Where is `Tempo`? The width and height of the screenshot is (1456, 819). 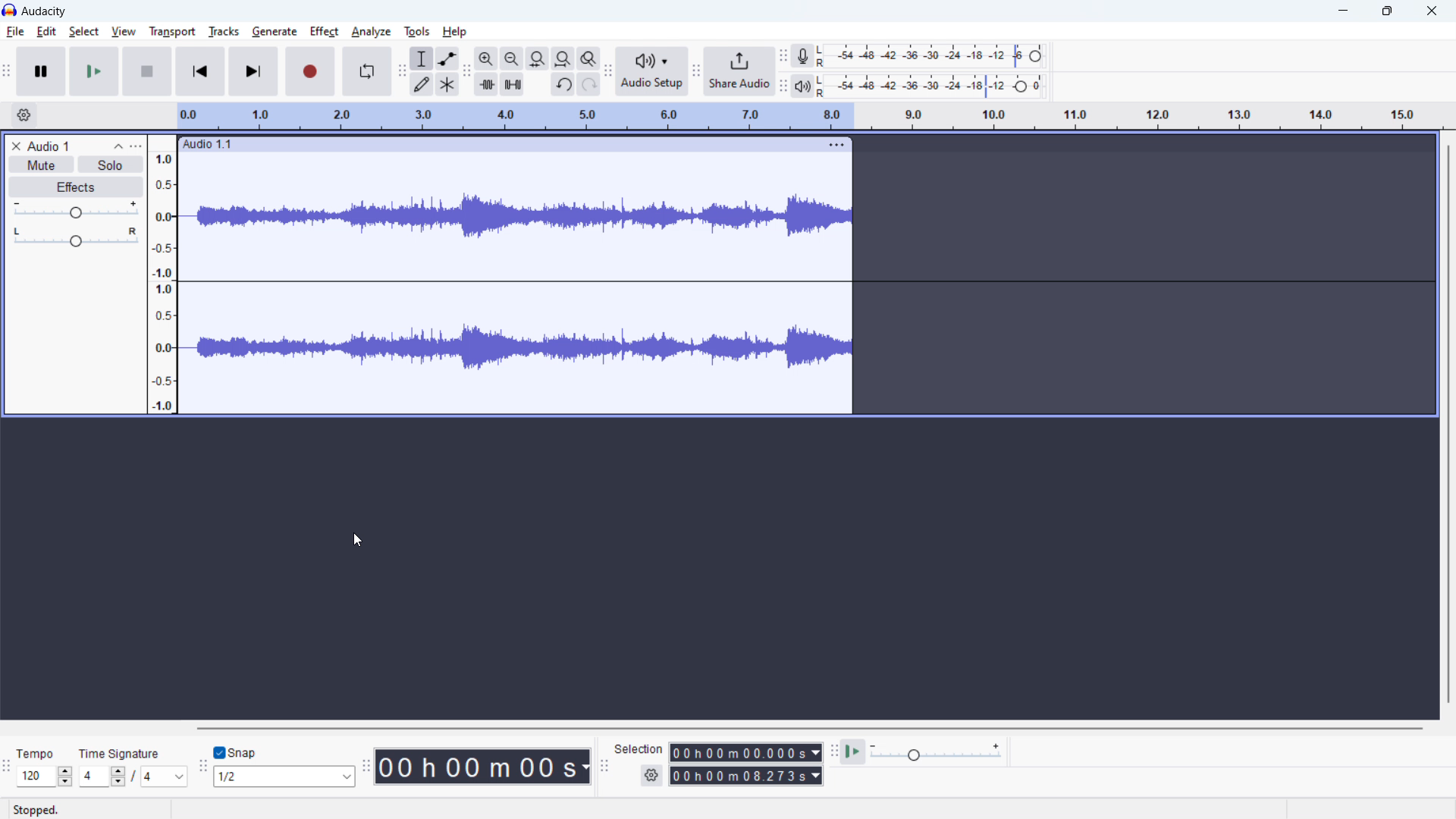
Tempo is located at coordinates (36, 752).